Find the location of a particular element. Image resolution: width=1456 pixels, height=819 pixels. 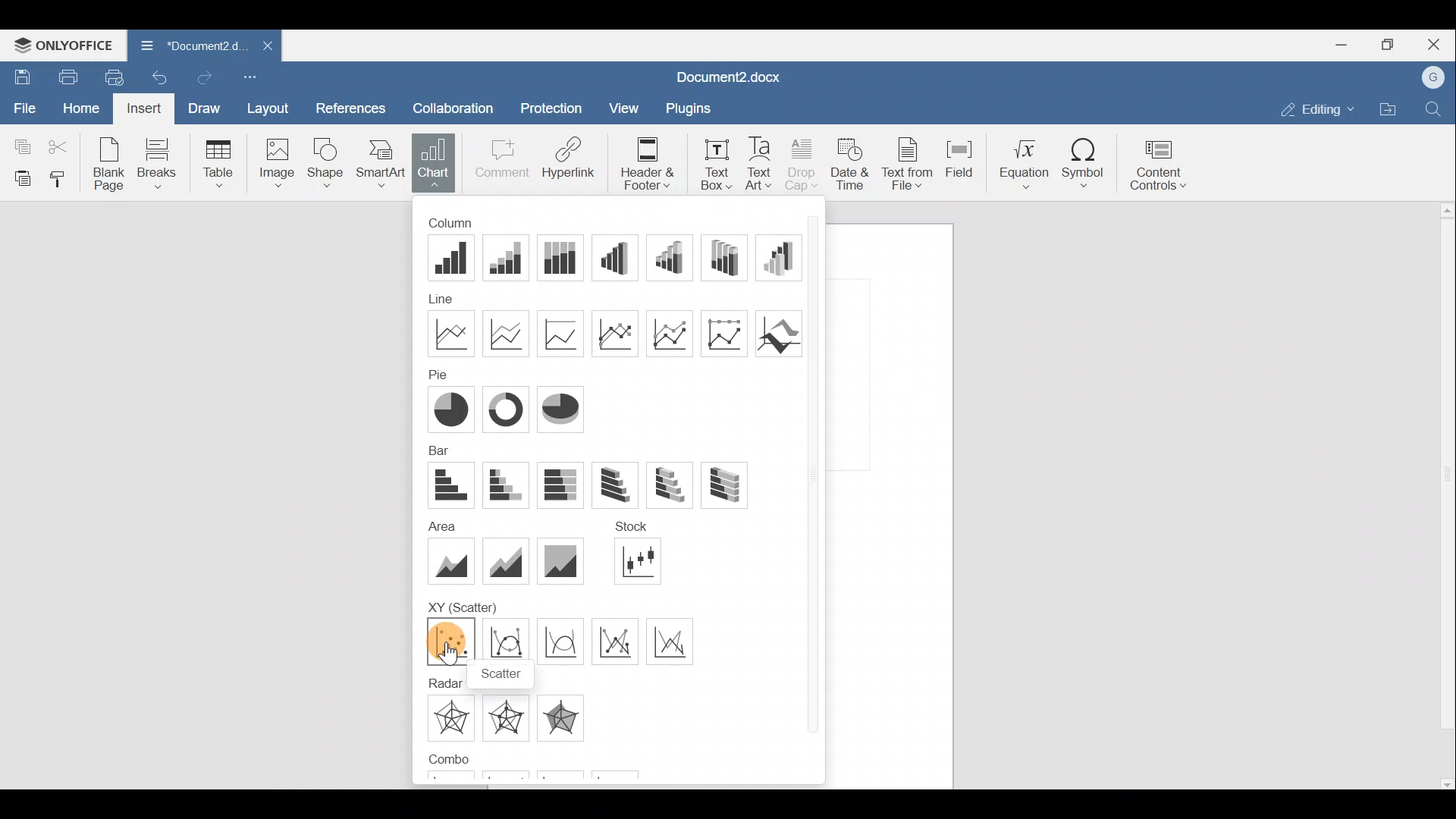

3-D column is located at coordinates (783, 257).